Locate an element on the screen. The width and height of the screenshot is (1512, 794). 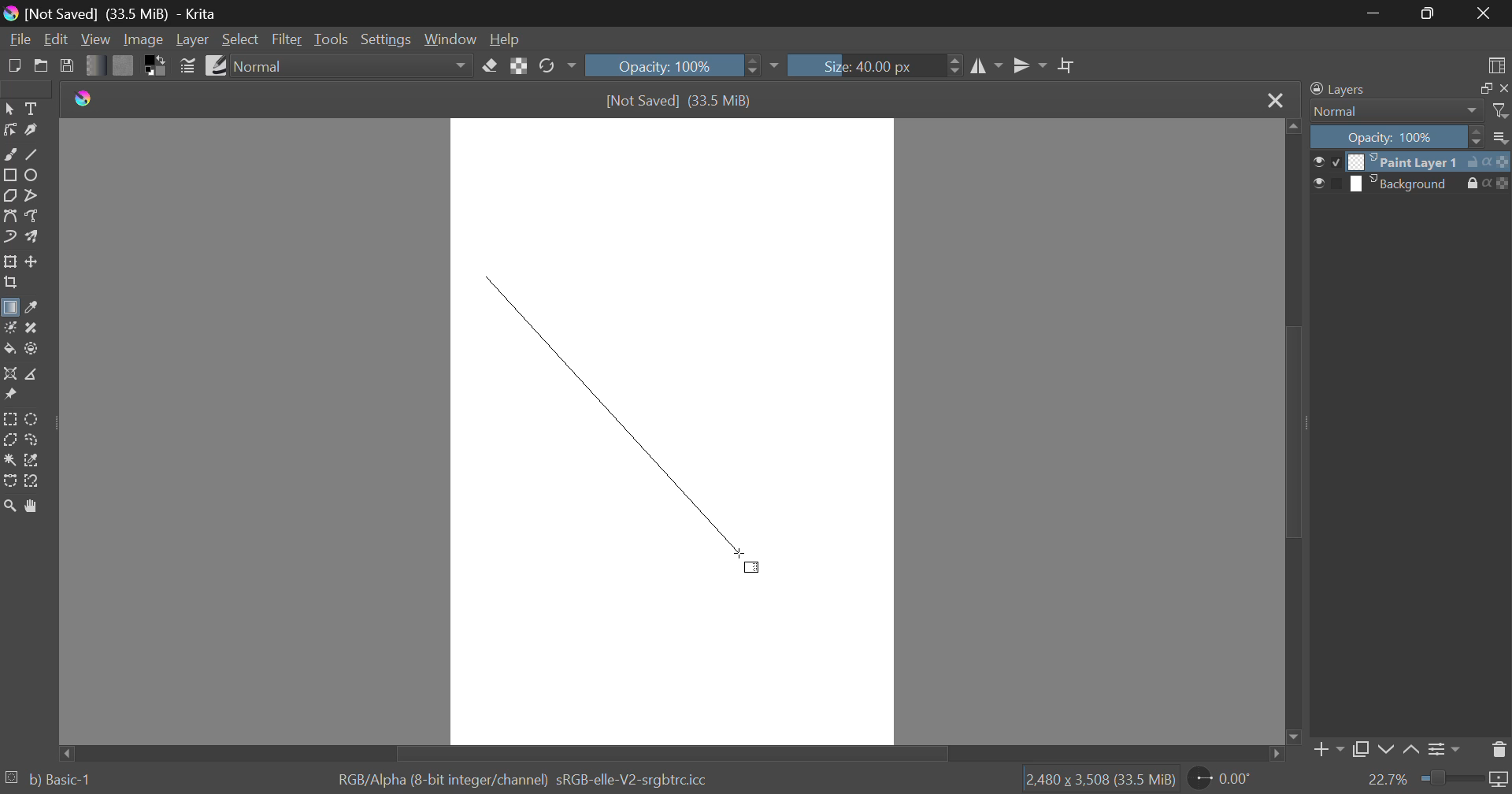
Measurement is located at coordinates (32, 375).